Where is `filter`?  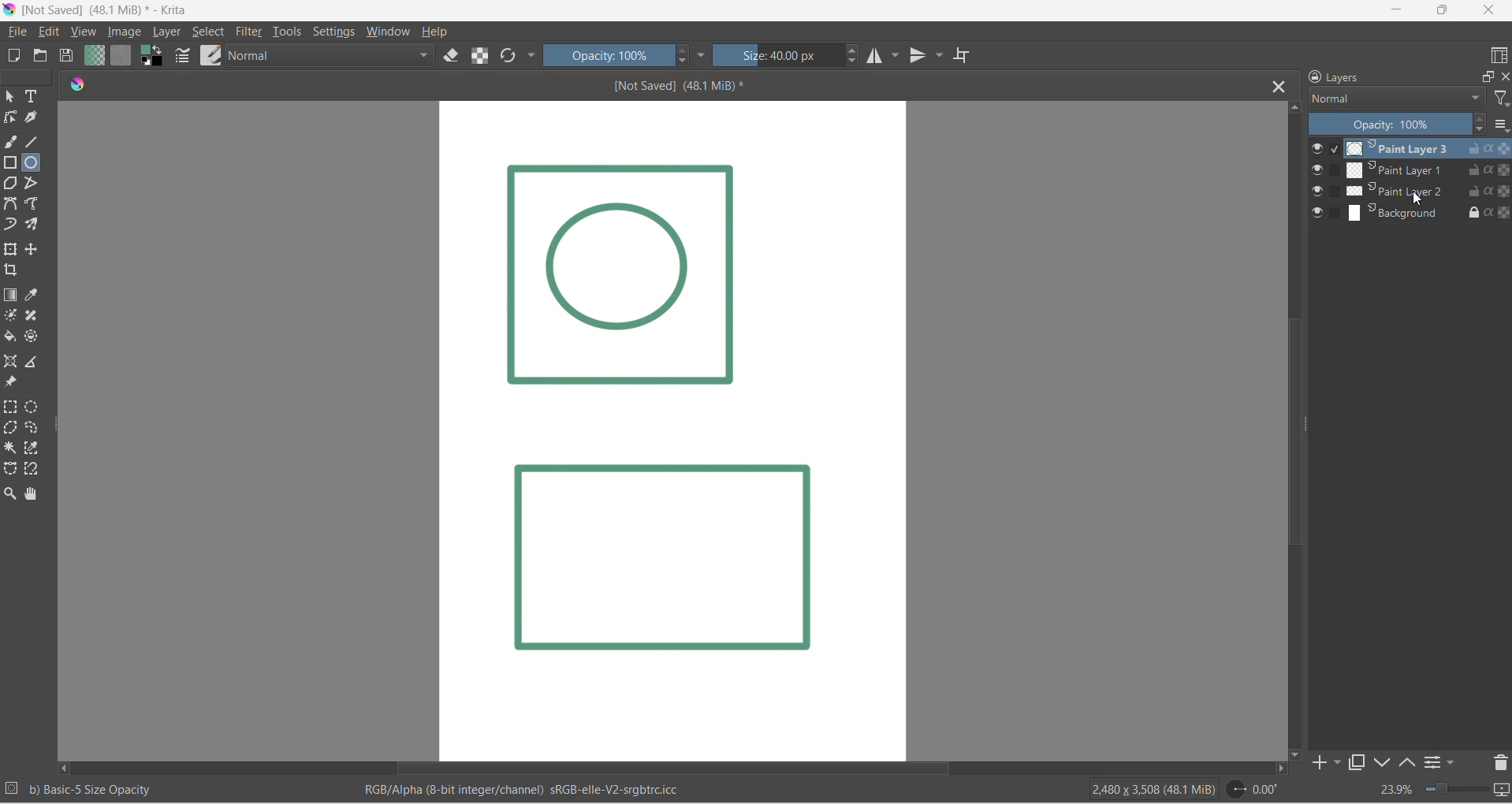 filter is located at coordinates (1503, 99).